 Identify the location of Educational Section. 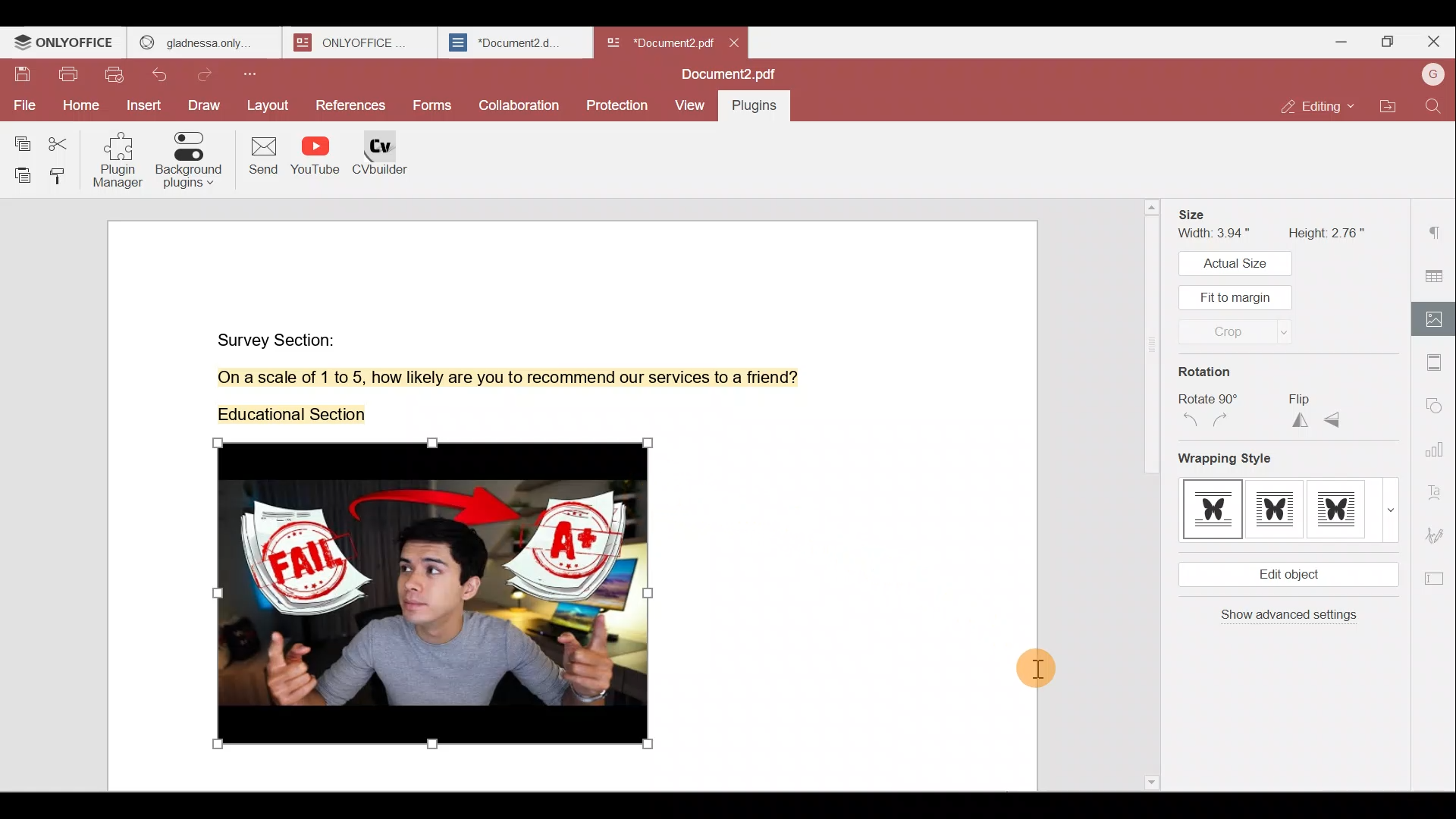
(285, 418).